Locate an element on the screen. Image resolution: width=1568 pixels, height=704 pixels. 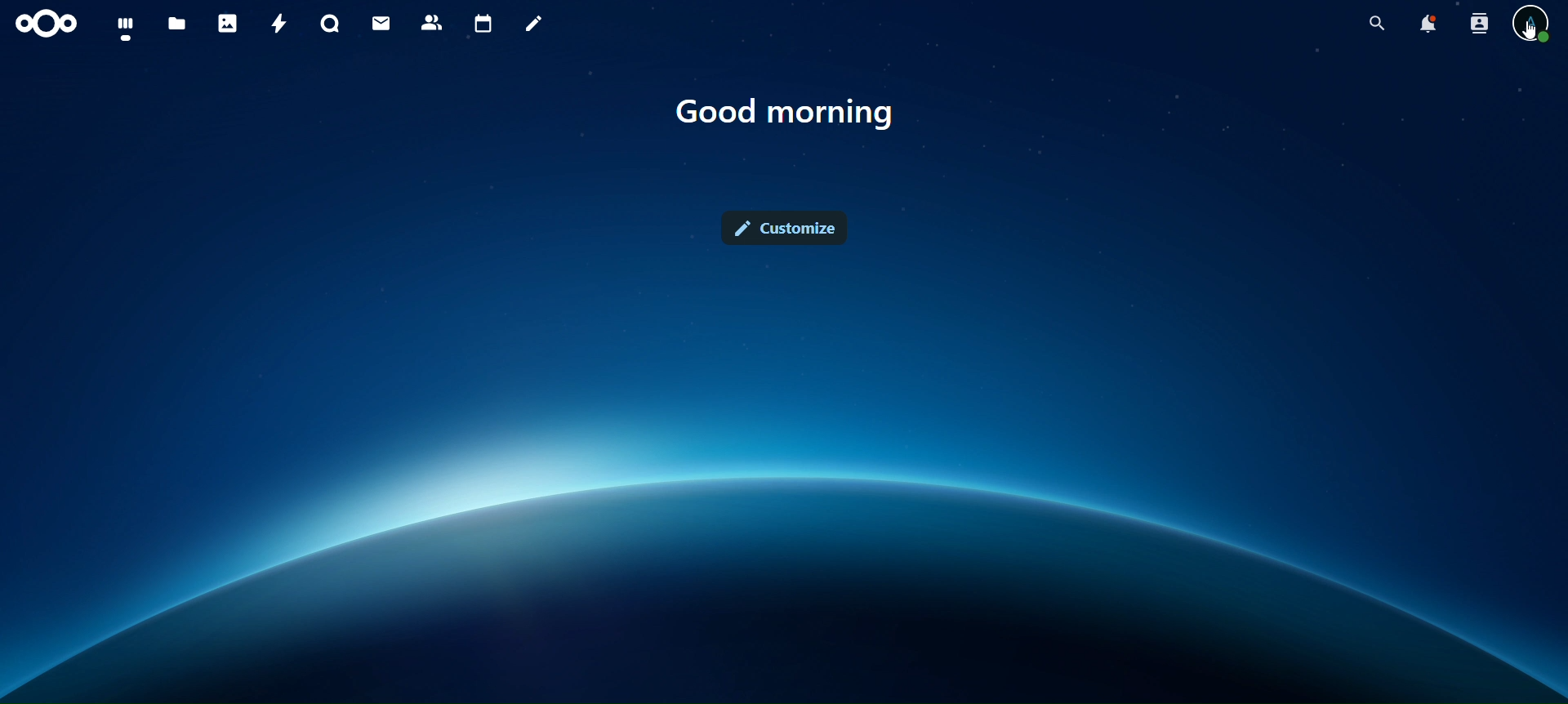
customize is located at coordinates (787, 225).